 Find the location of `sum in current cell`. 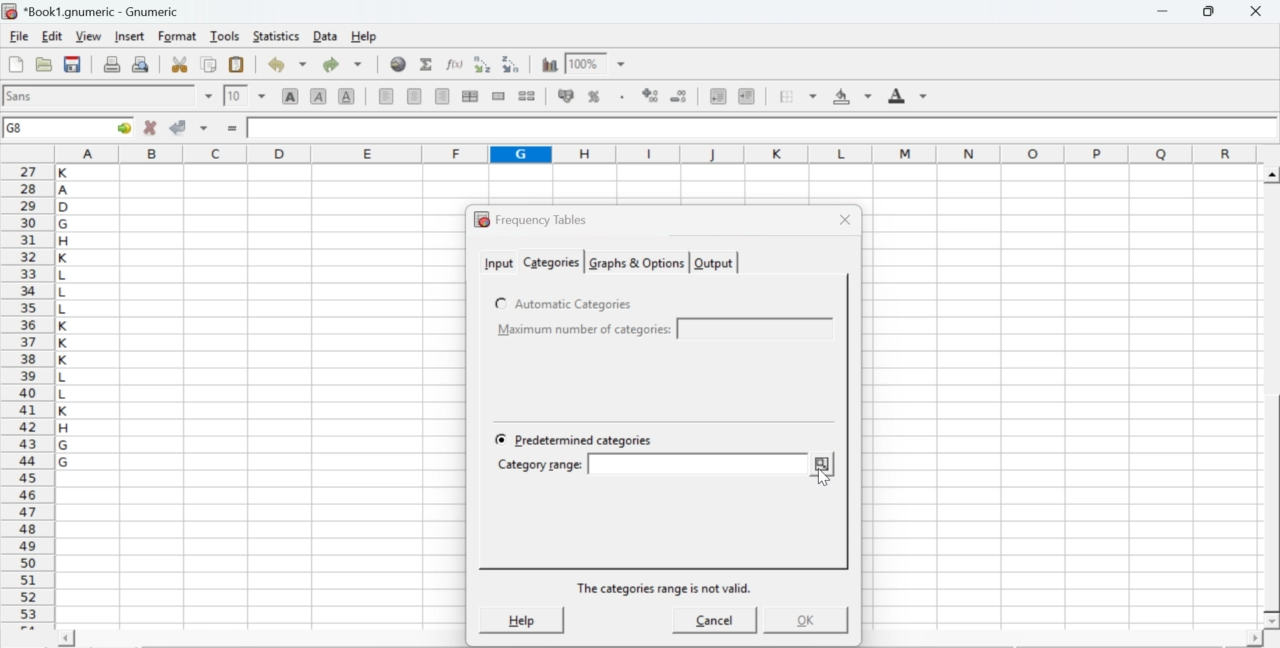

sum in current cell is located at coordinates (427, 63).